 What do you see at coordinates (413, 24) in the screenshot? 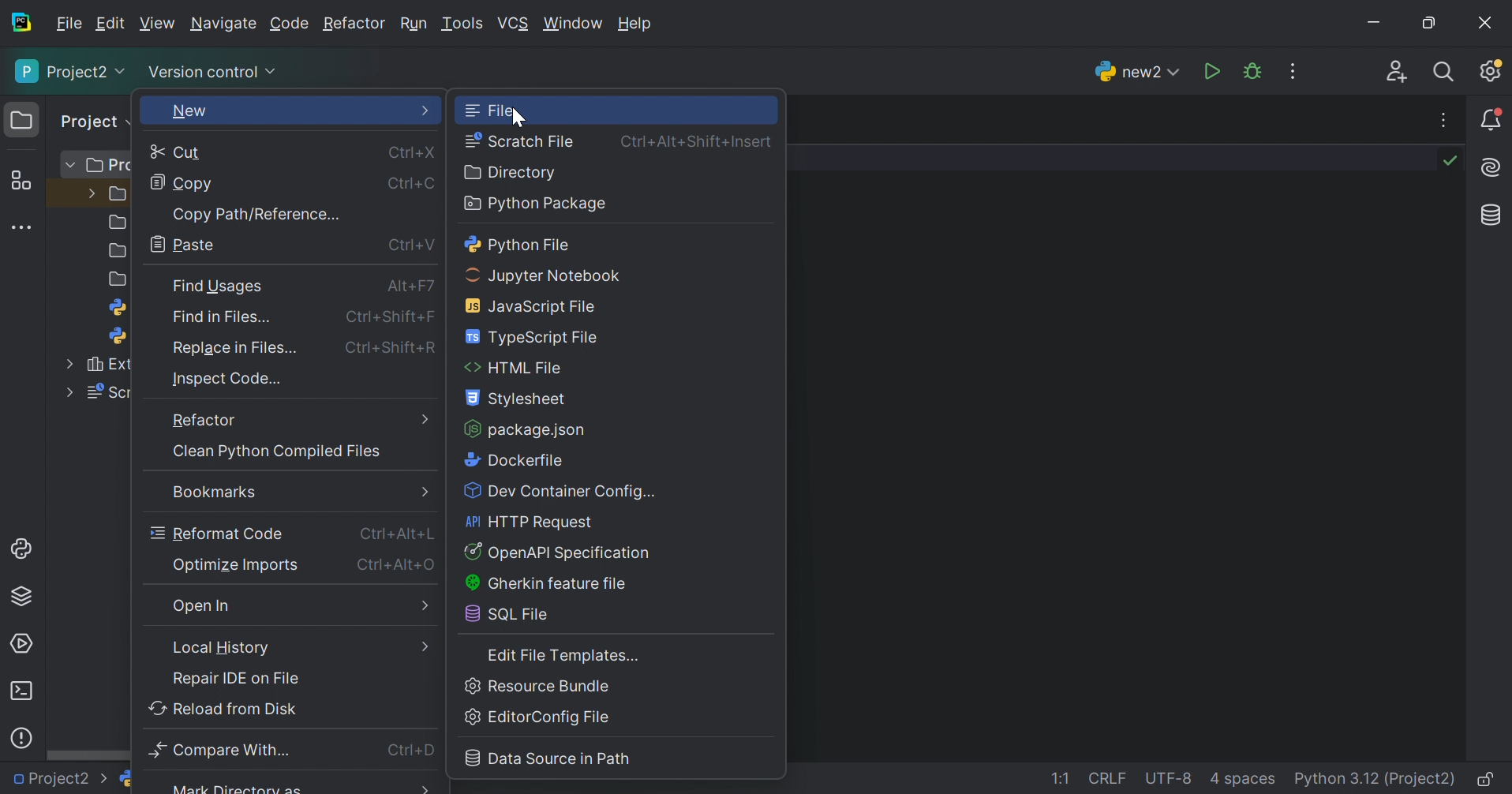
I see `Run` at bounding box center [413, 24].